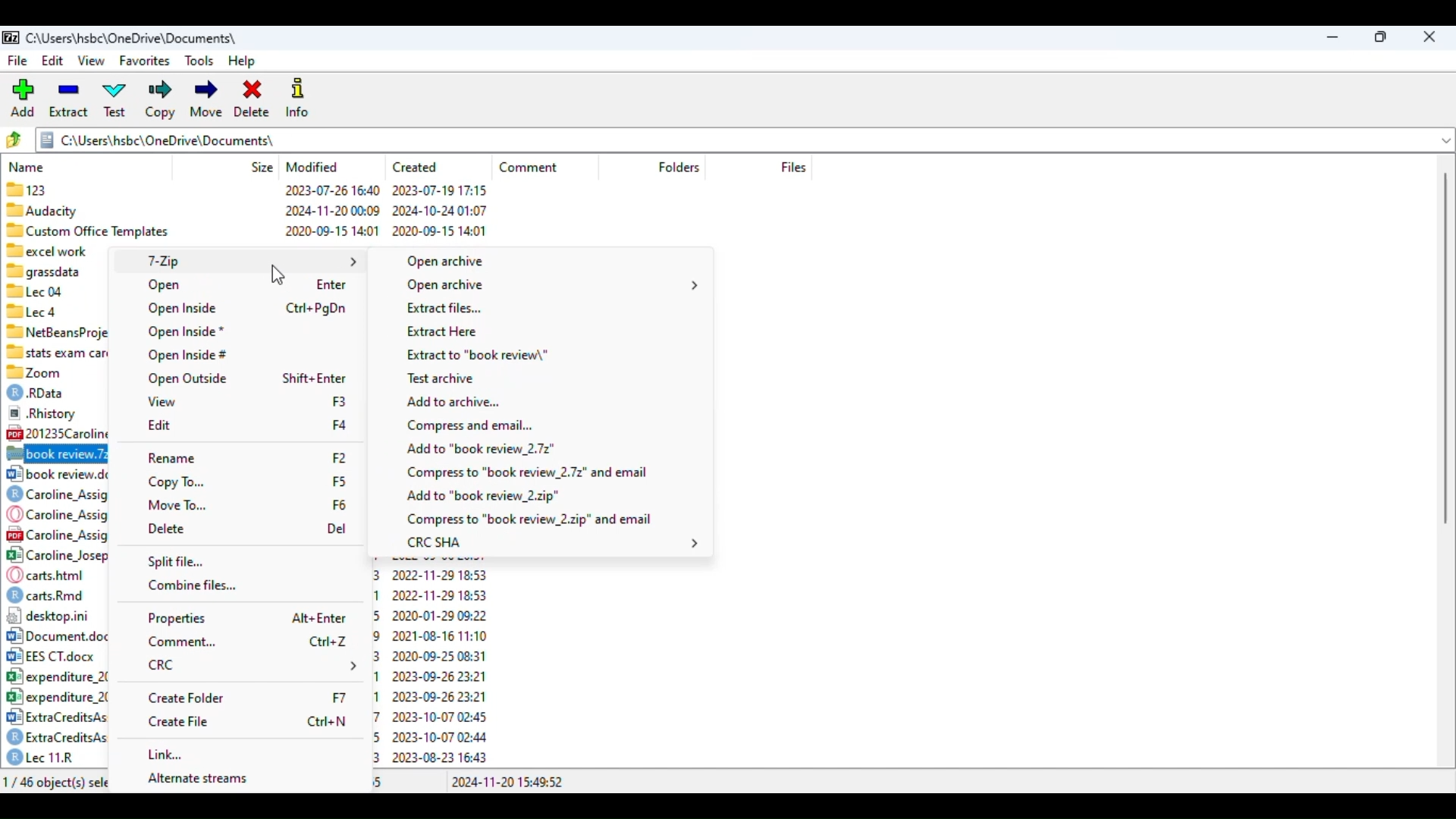  I want to click on ) cartsRmd 298 2022-12-06 19:01 2022-11-29 18:53, so click(58, 595).